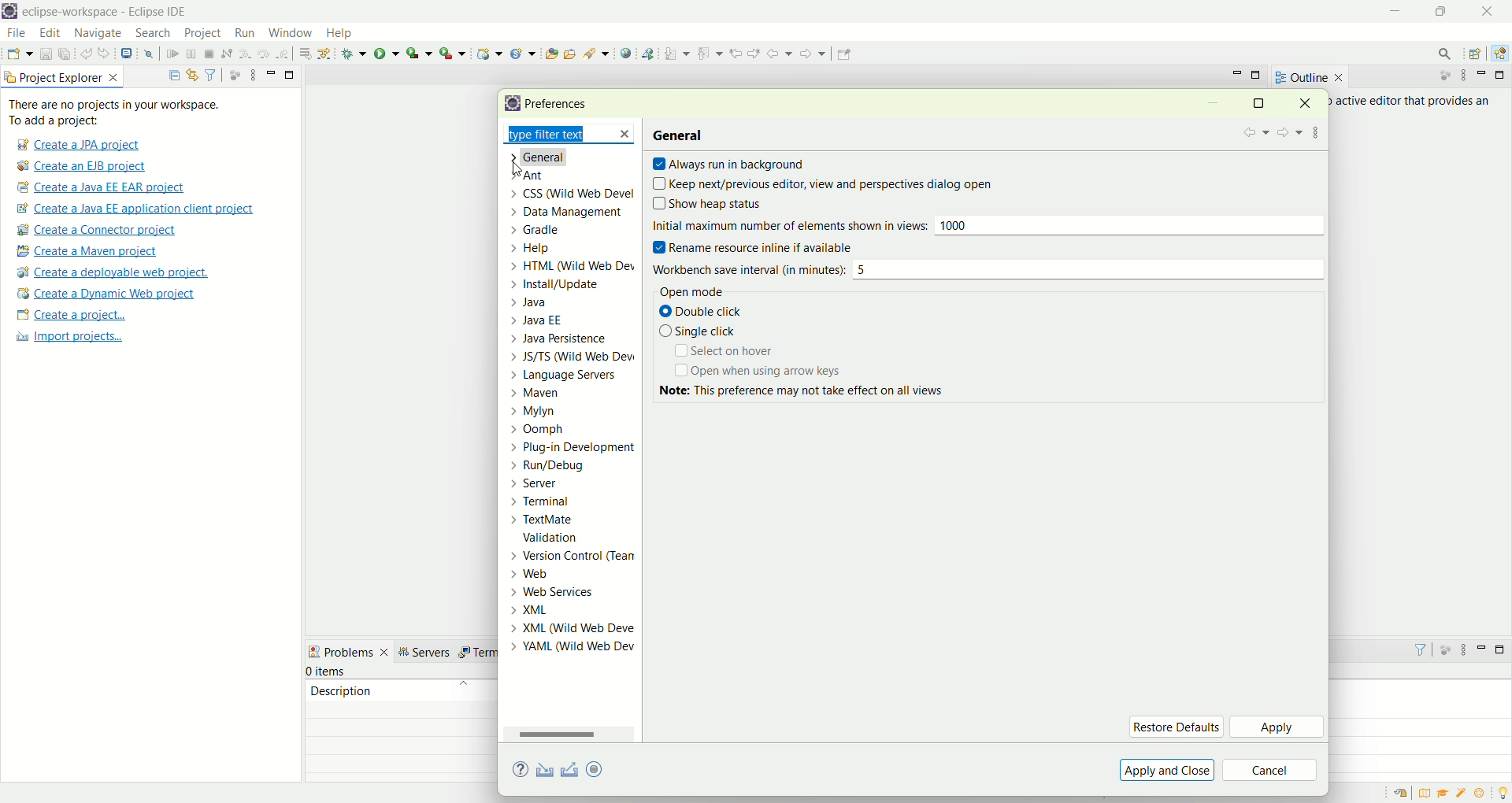  I want to click on export, so click(606, 768).